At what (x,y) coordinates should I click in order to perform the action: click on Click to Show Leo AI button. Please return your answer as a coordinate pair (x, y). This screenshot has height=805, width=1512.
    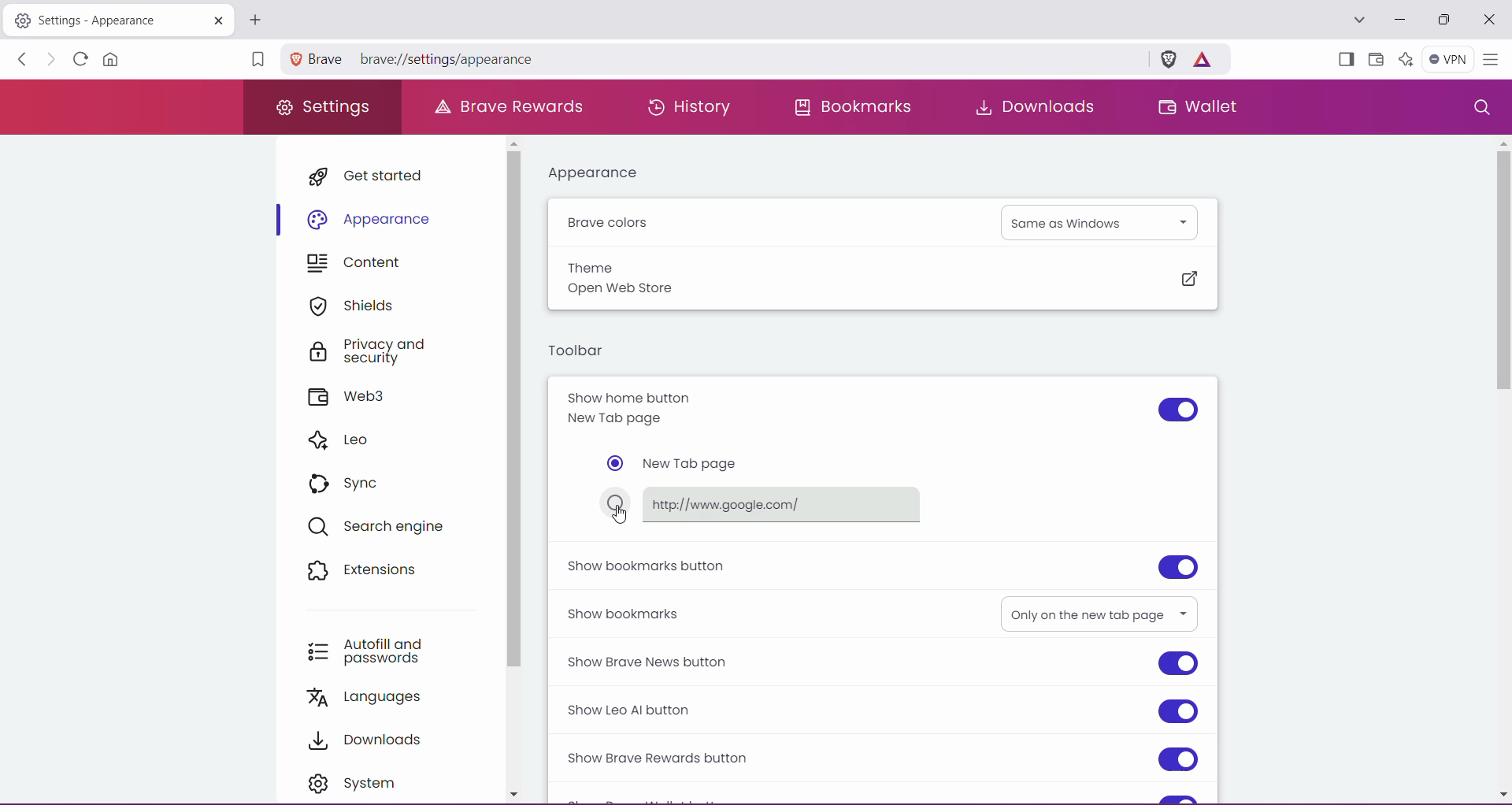
    Looking at the image, I should click on (1179, 710).